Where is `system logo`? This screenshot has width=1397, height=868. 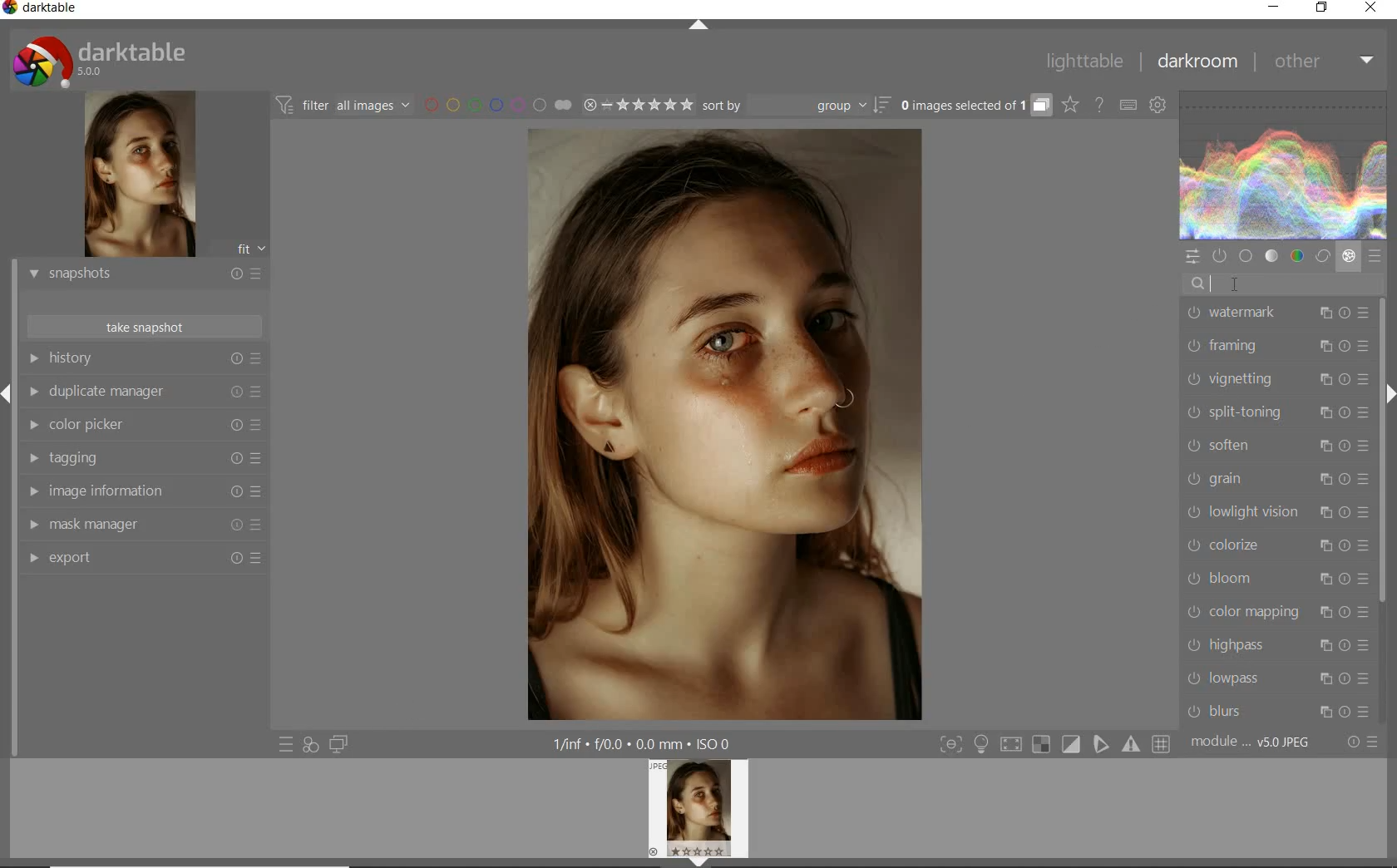
system logo is located at coordinates (101, 61).